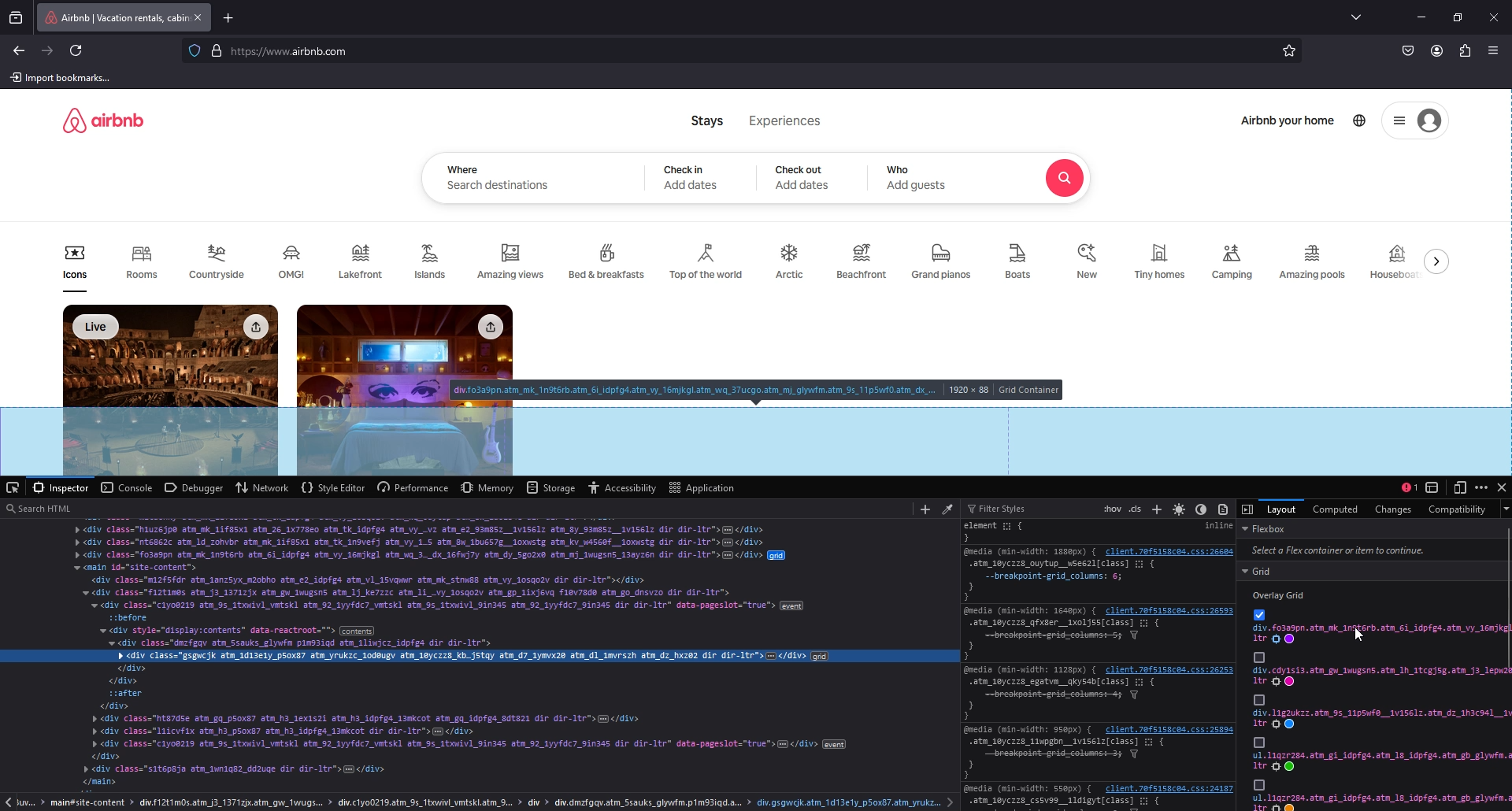  Describe the element at coordinates (1381, 676) in the screenshot. I see `grid css` at that location.